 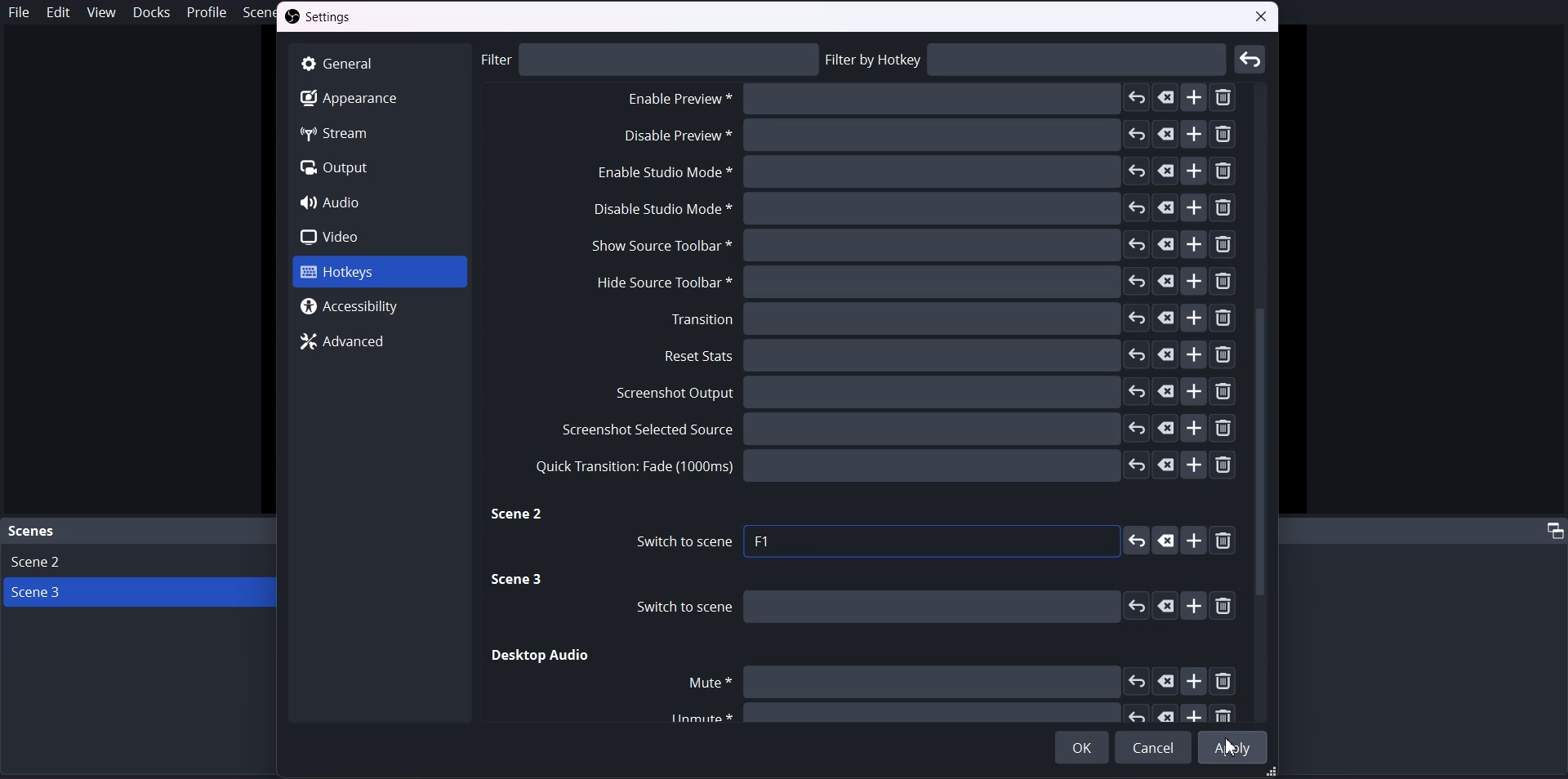 What do you see at coordinates (895, 428) in the screenshot?
I see `Screenshot selected source` at bounding box center [895, 428].